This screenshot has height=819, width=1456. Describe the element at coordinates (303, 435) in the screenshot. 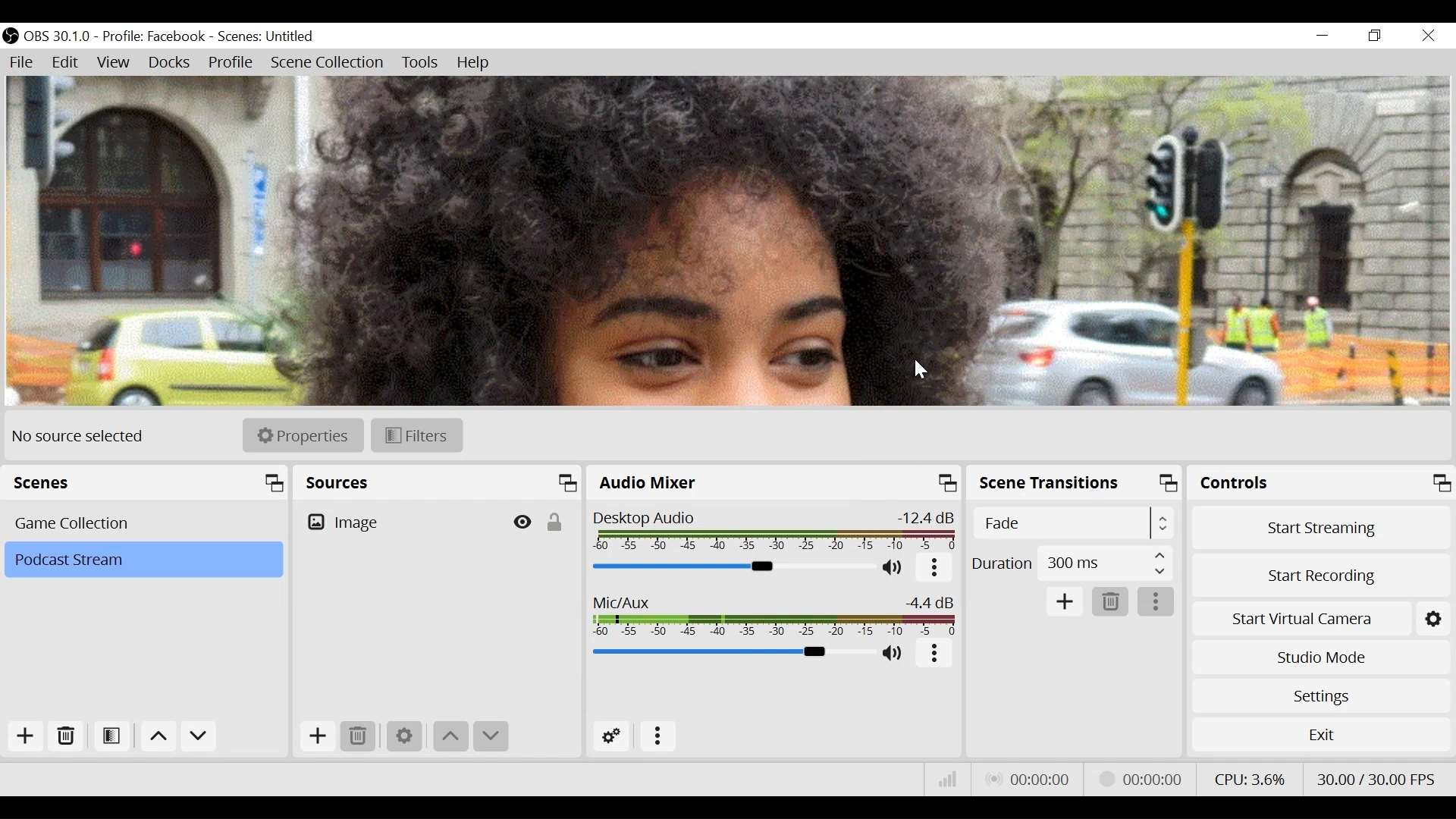

I see `Properties` at that location.